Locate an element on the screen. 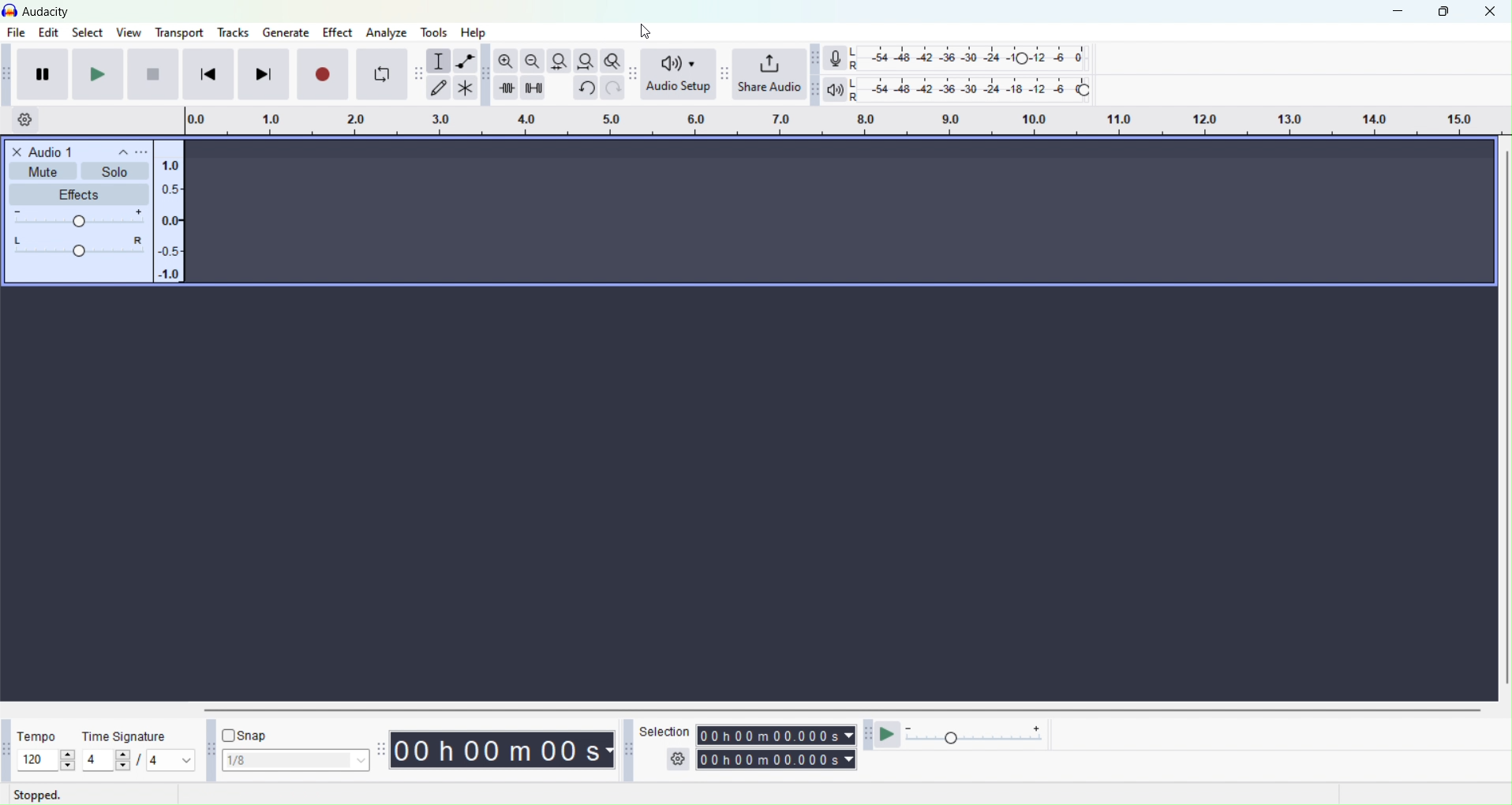  Skip to start is located at coordinates (208, 73).